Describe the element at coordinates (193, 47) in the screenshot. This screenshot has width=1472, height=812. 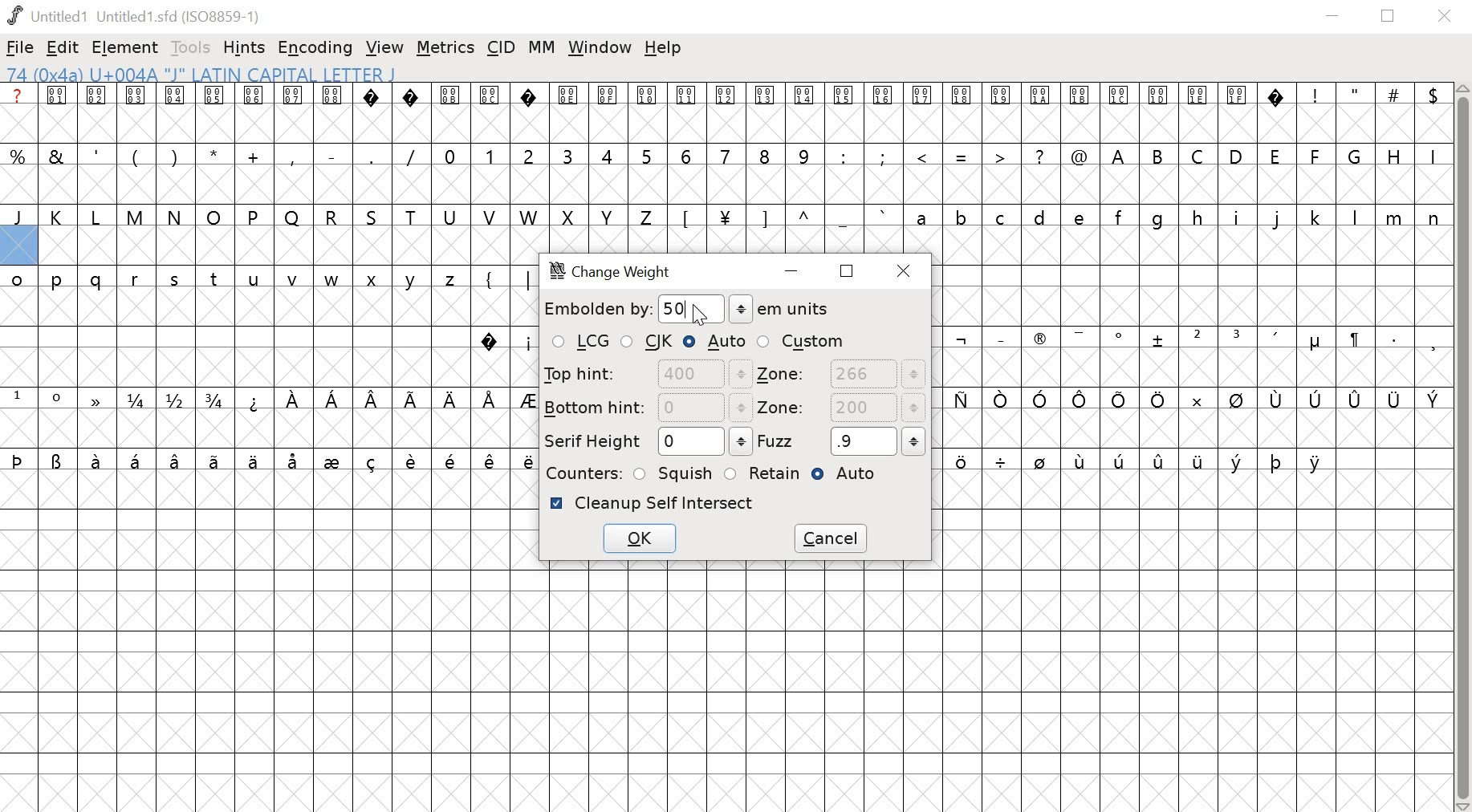
I see `TOOLS` at that location.